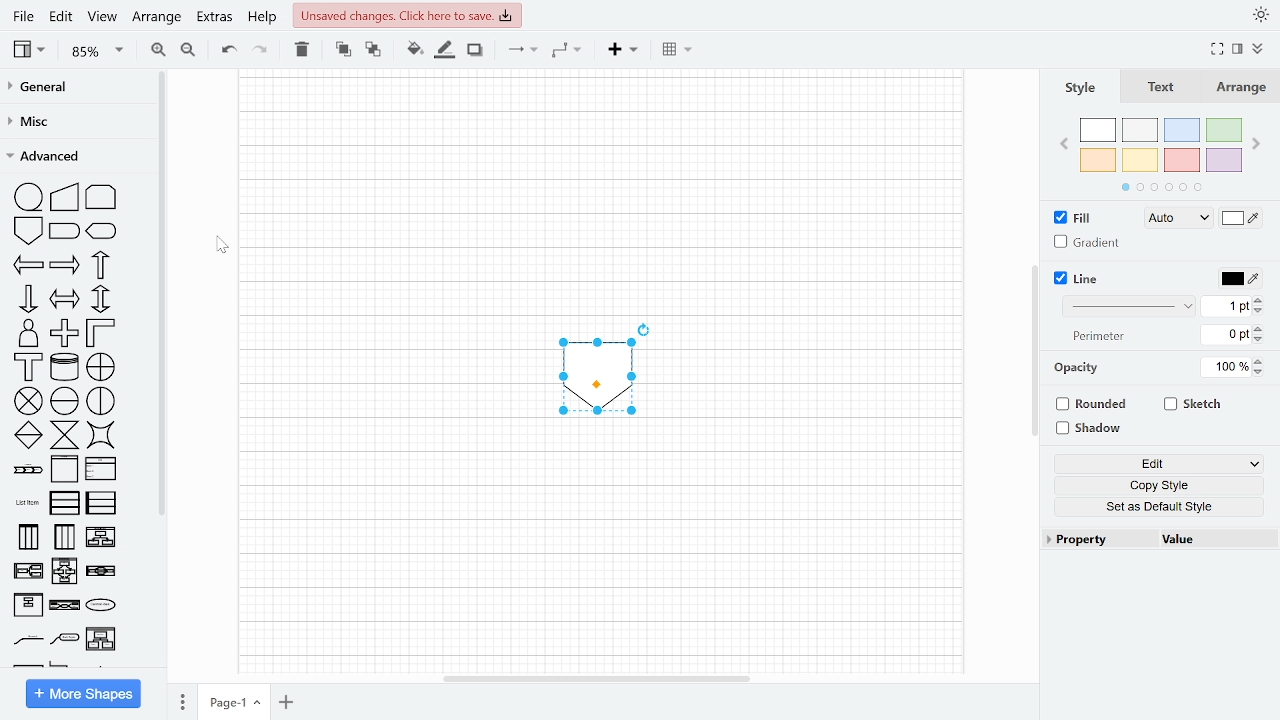 The image size is (1280, 720). I want to click on Shadow, so click(475, 52).